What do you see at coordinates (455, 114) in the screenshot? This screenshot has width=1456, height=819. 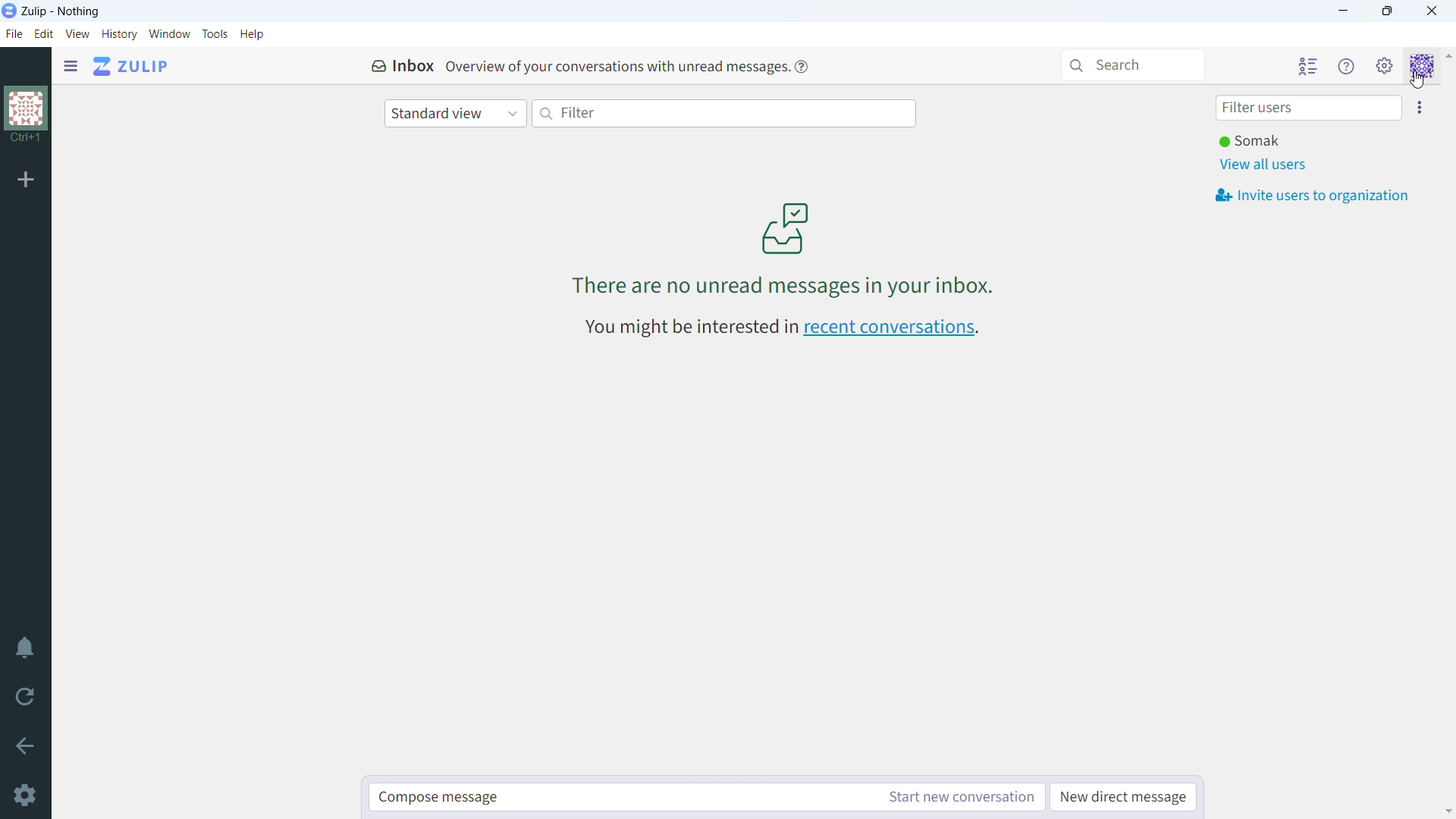 I see `select view` at bounding box center [455, 114].